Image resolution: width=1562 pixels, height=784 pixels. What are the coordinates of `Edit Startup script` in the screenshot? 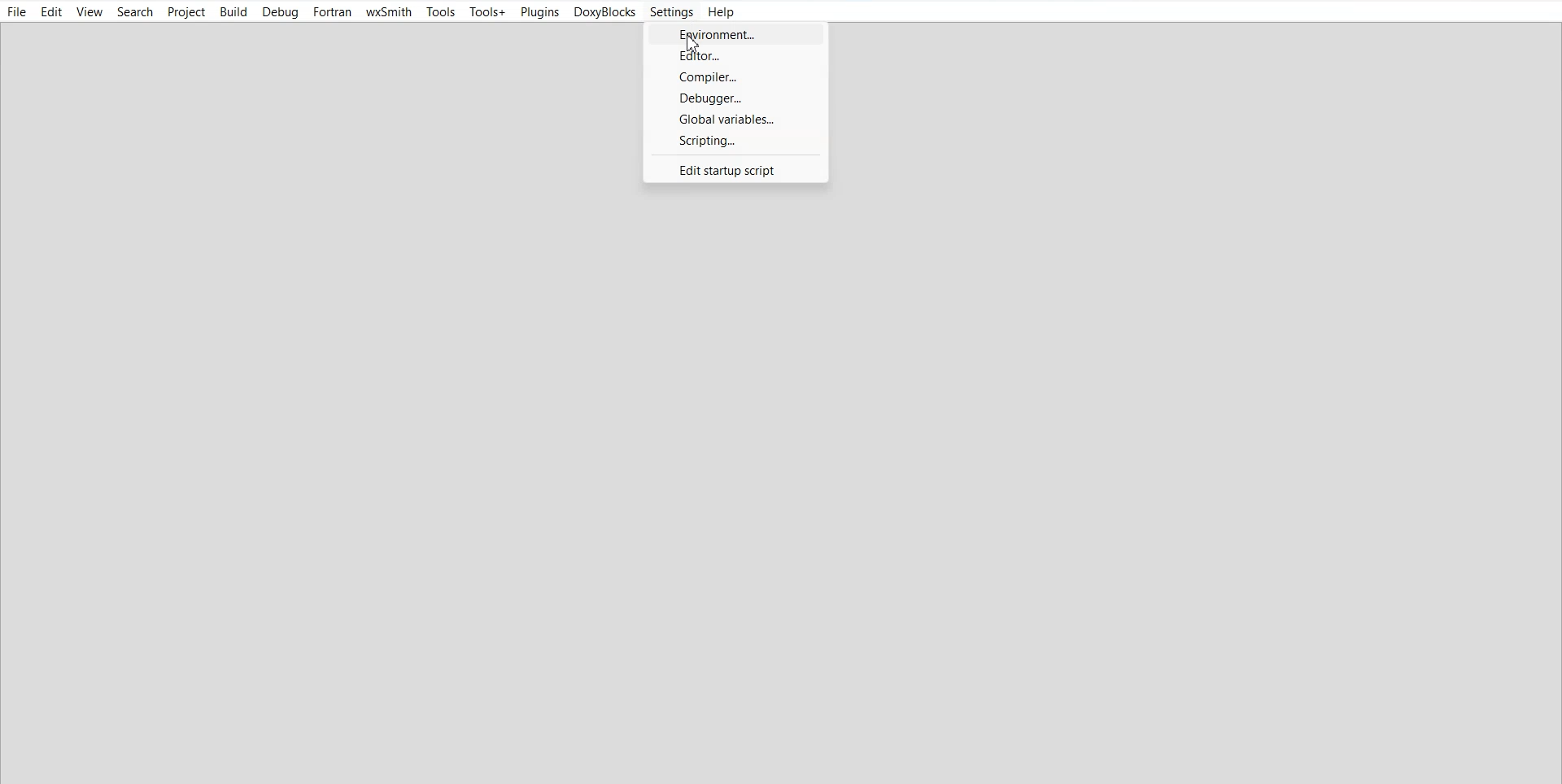 It's located at (733, 169).